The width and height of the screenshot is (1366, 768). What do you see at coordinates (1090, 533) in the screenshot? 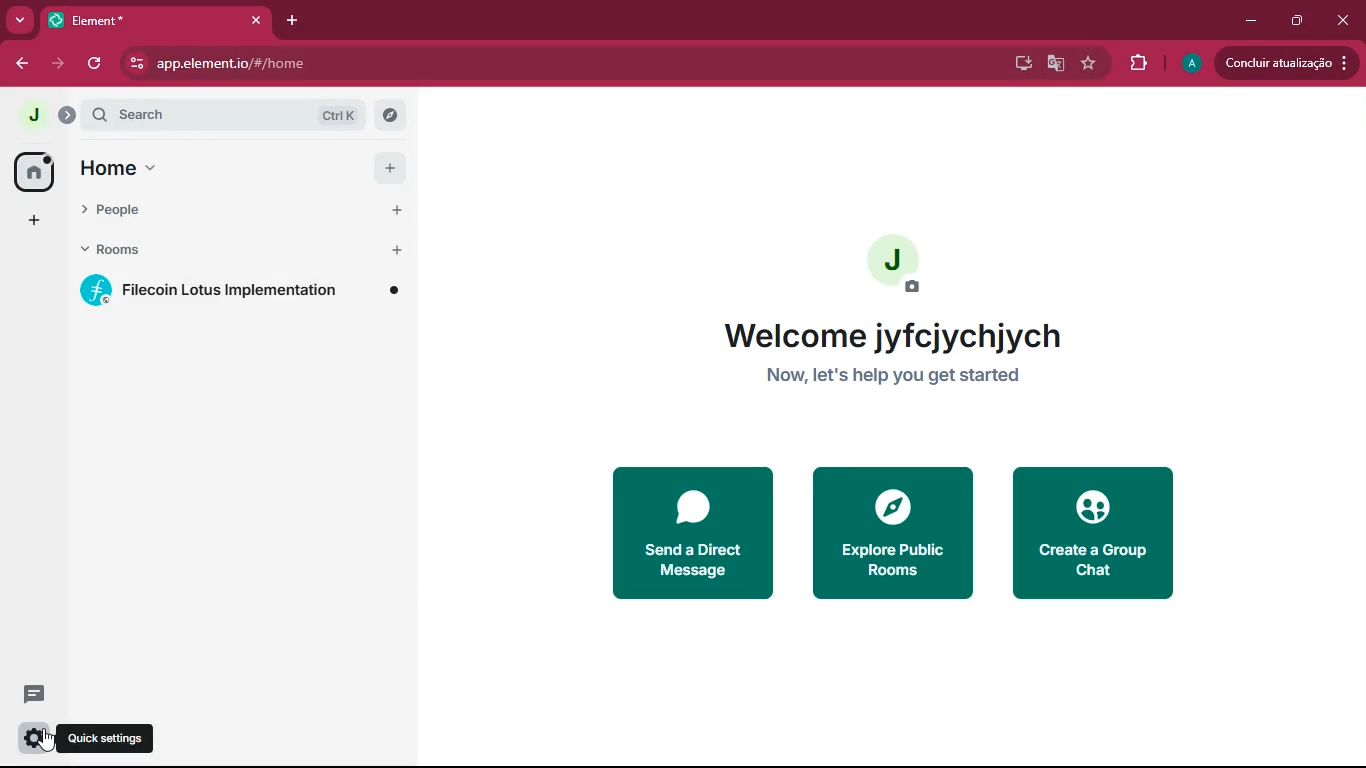
I see `create` at bounding box center [1090, 533].